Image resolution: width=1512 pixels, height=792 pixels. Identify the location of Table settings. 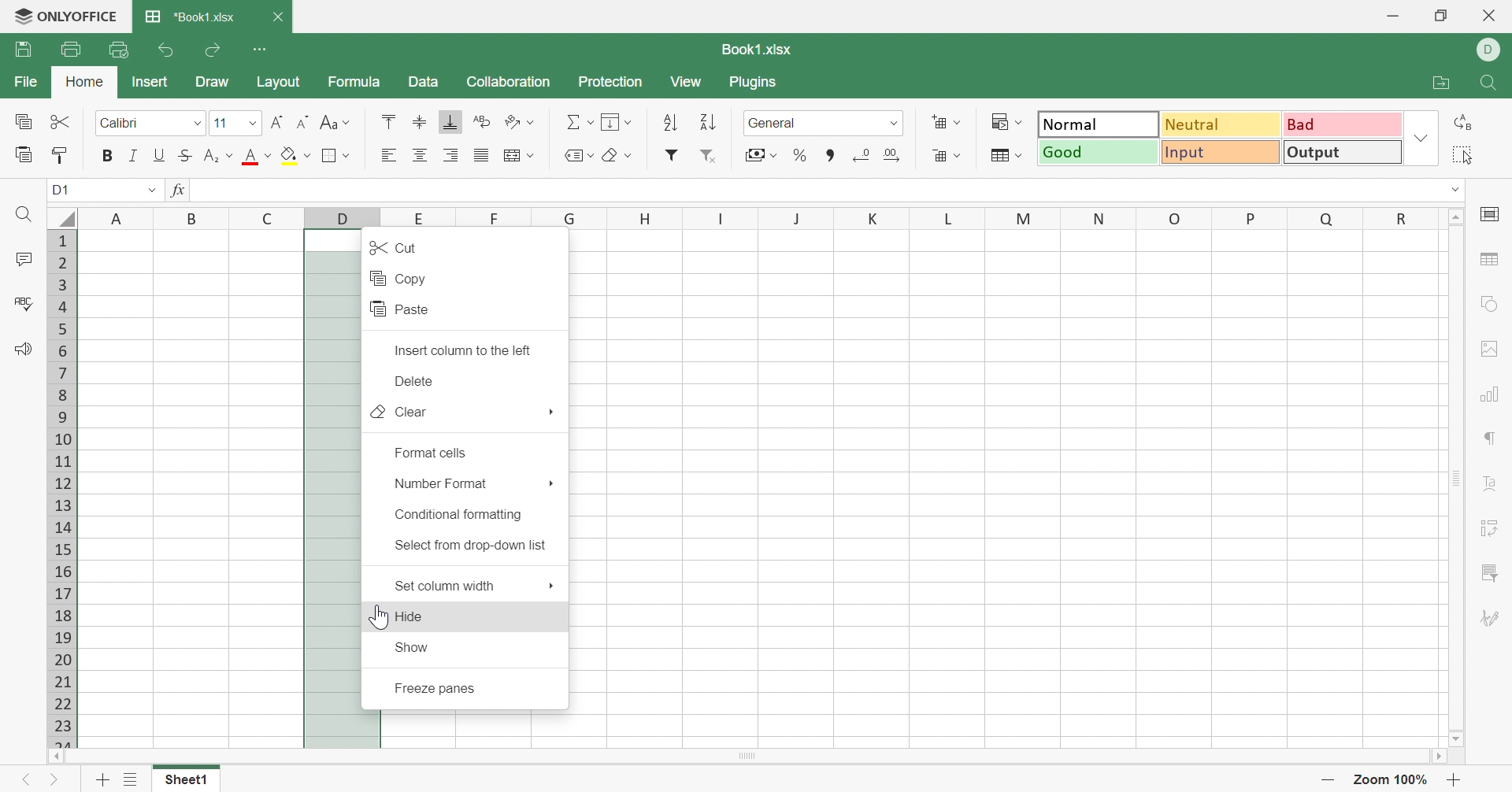
(1492, 258).